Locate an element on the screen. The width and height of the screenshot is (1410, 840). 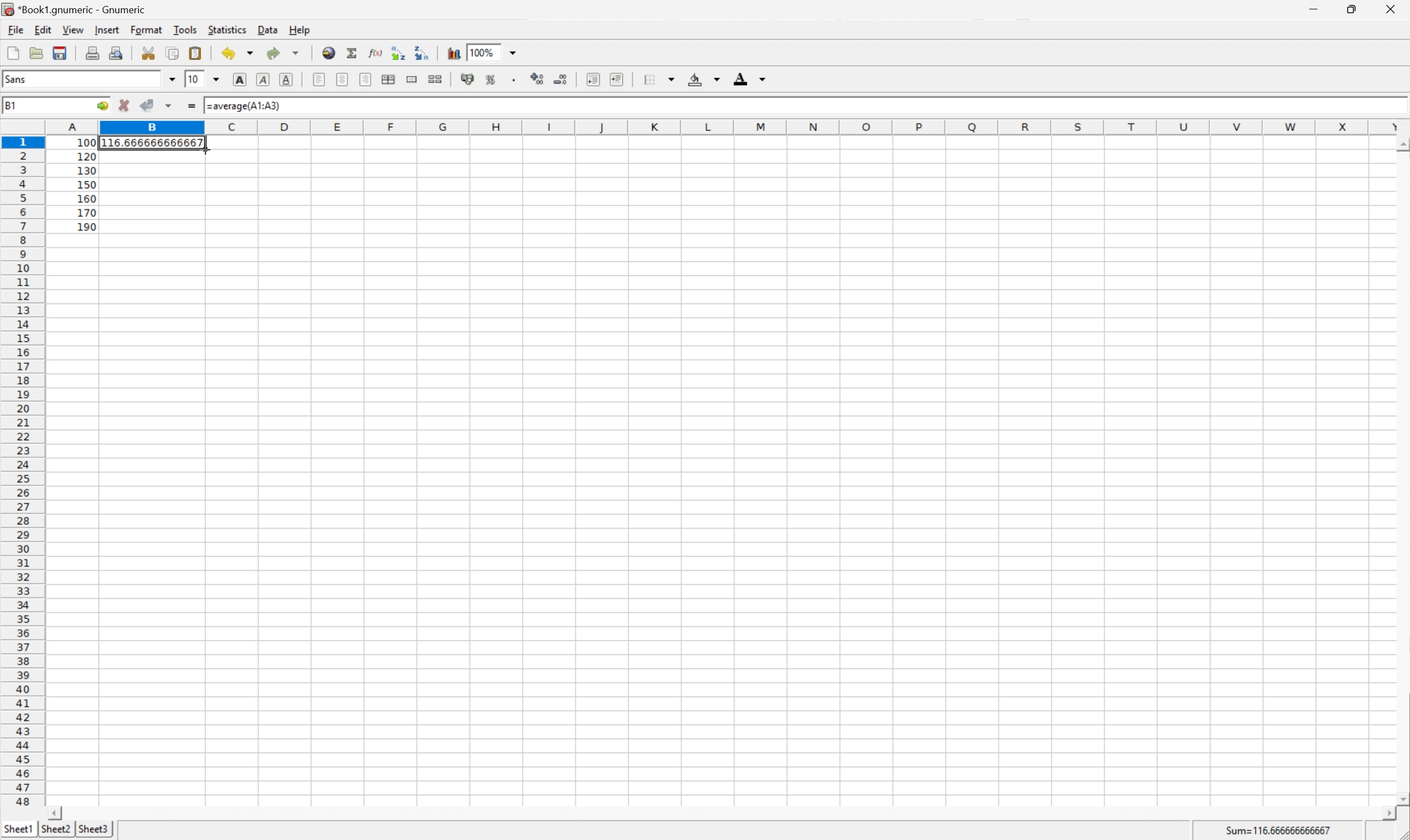
Format is located at coordinates (147, 29).